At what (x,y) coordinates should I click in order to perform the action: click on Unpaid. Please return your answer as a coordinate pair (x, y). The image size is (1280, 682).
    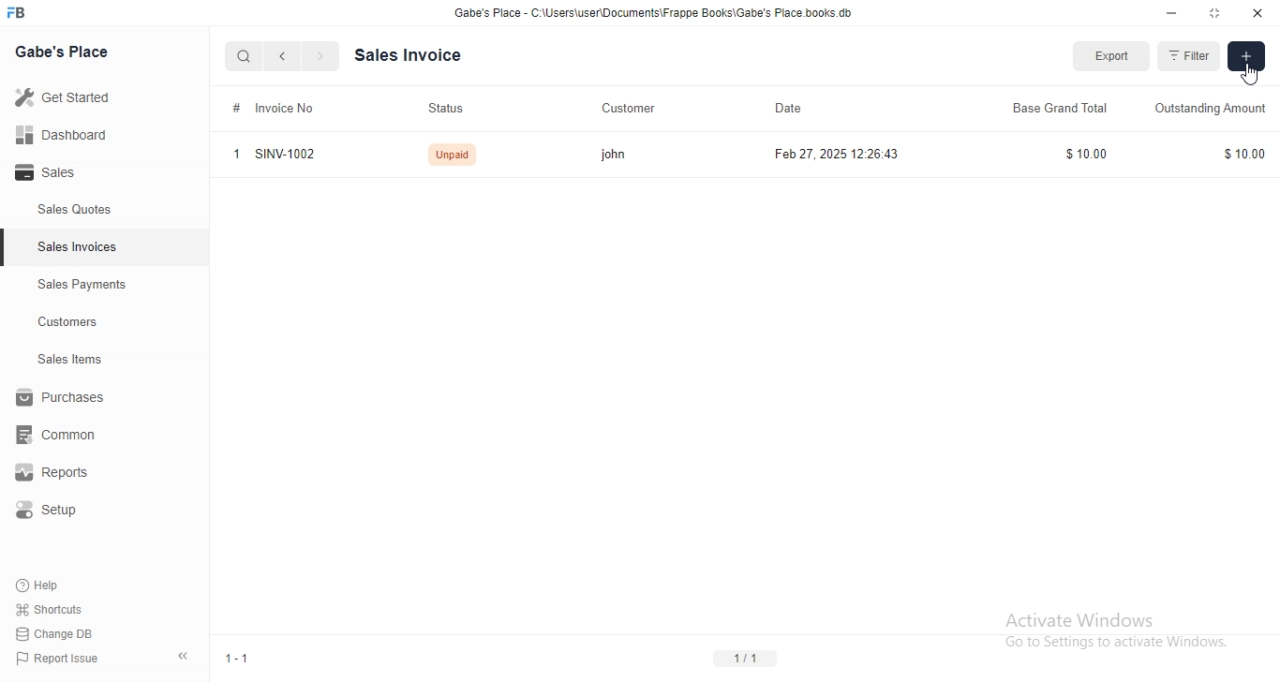
    Looking at the image, I should click on (457, 155).